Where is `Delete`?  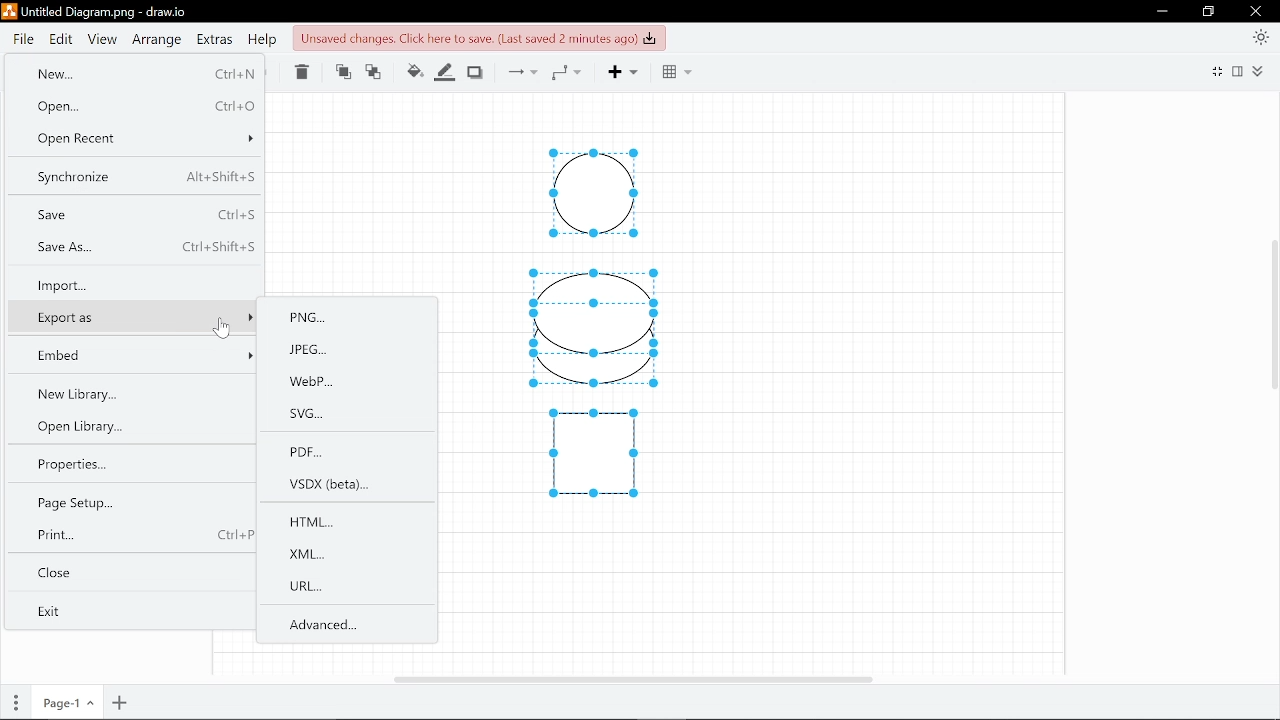
Delete is located at coordinates (300, 73).